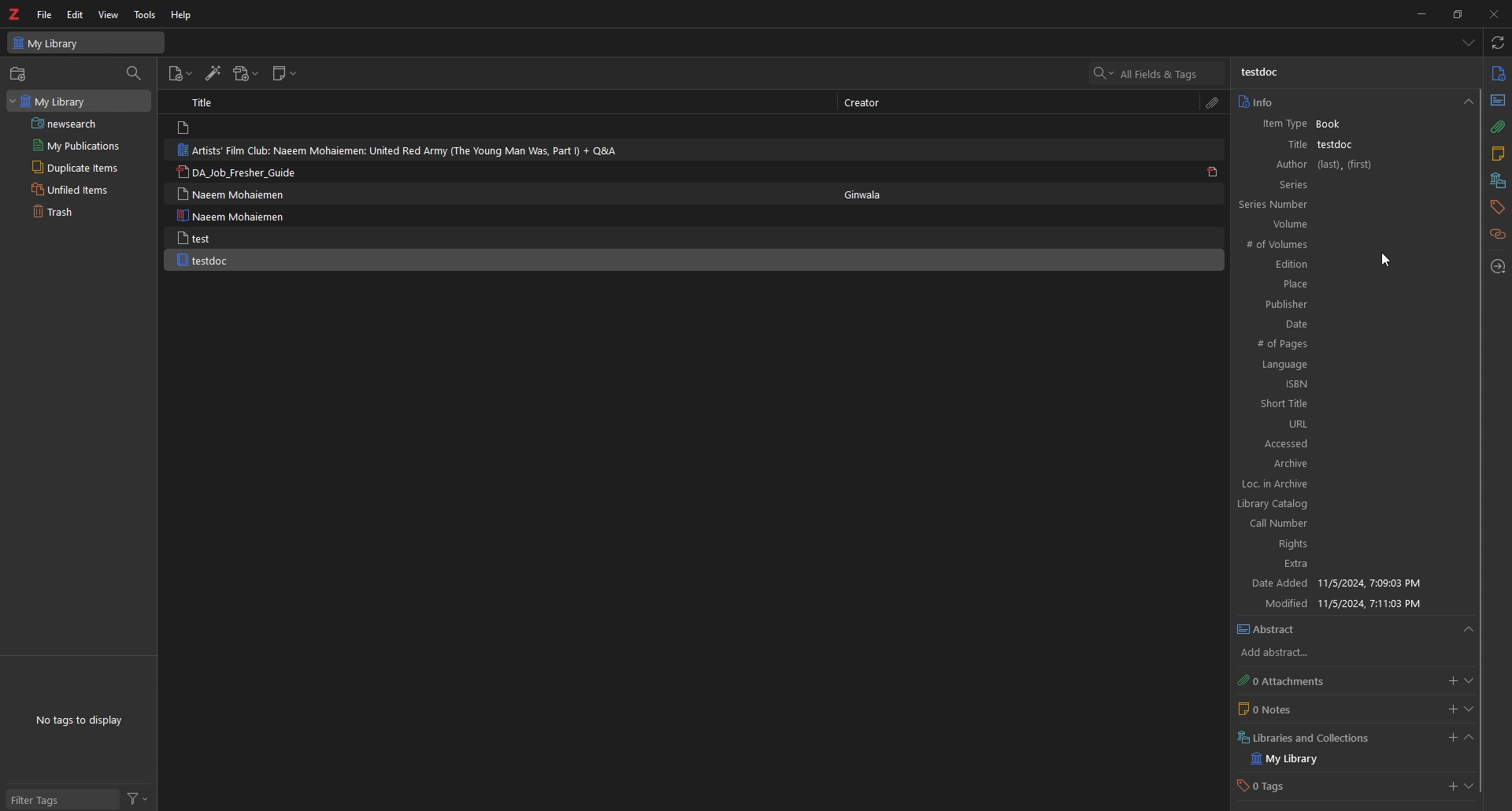  Describe the element at coordinates (1281, 124) in the screenshot. I see `item type` at that location.